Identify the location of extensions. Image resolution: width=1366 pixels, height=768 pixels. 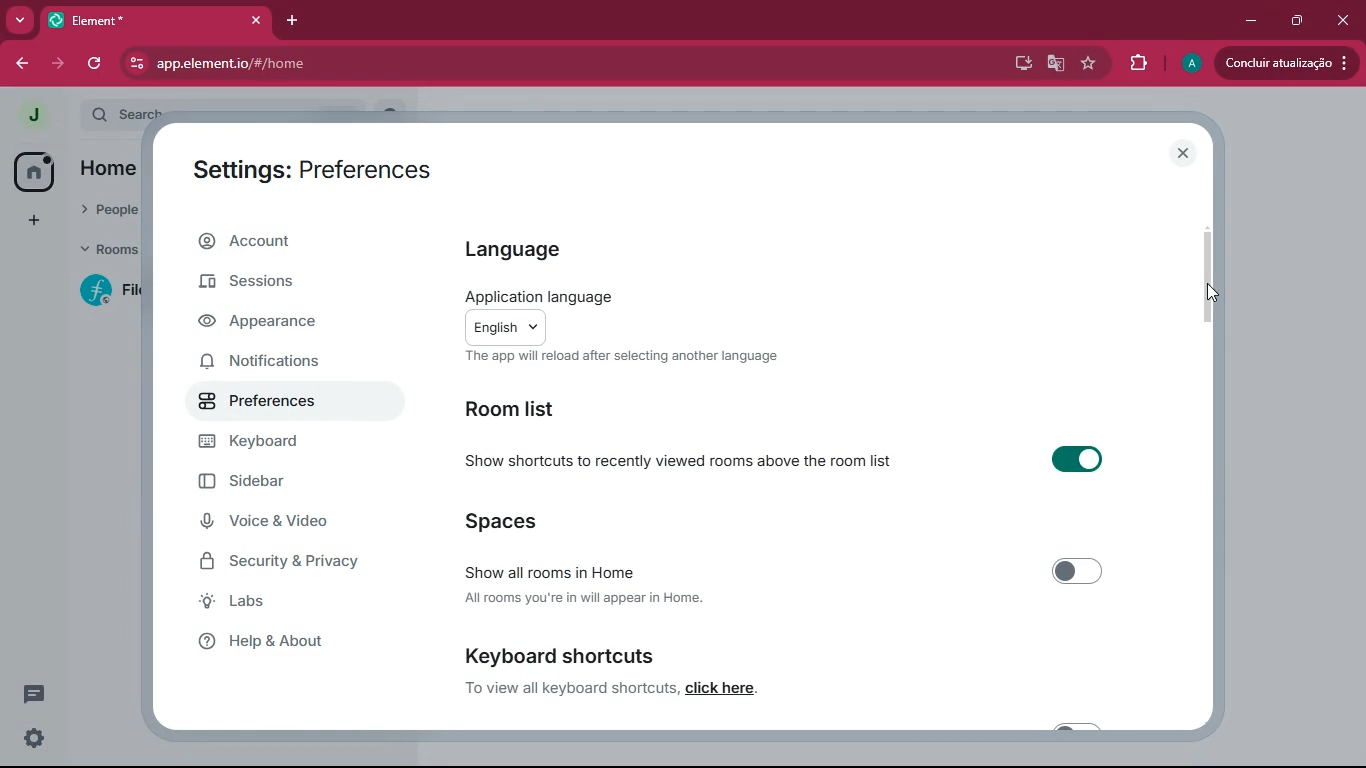
(1138, 63).